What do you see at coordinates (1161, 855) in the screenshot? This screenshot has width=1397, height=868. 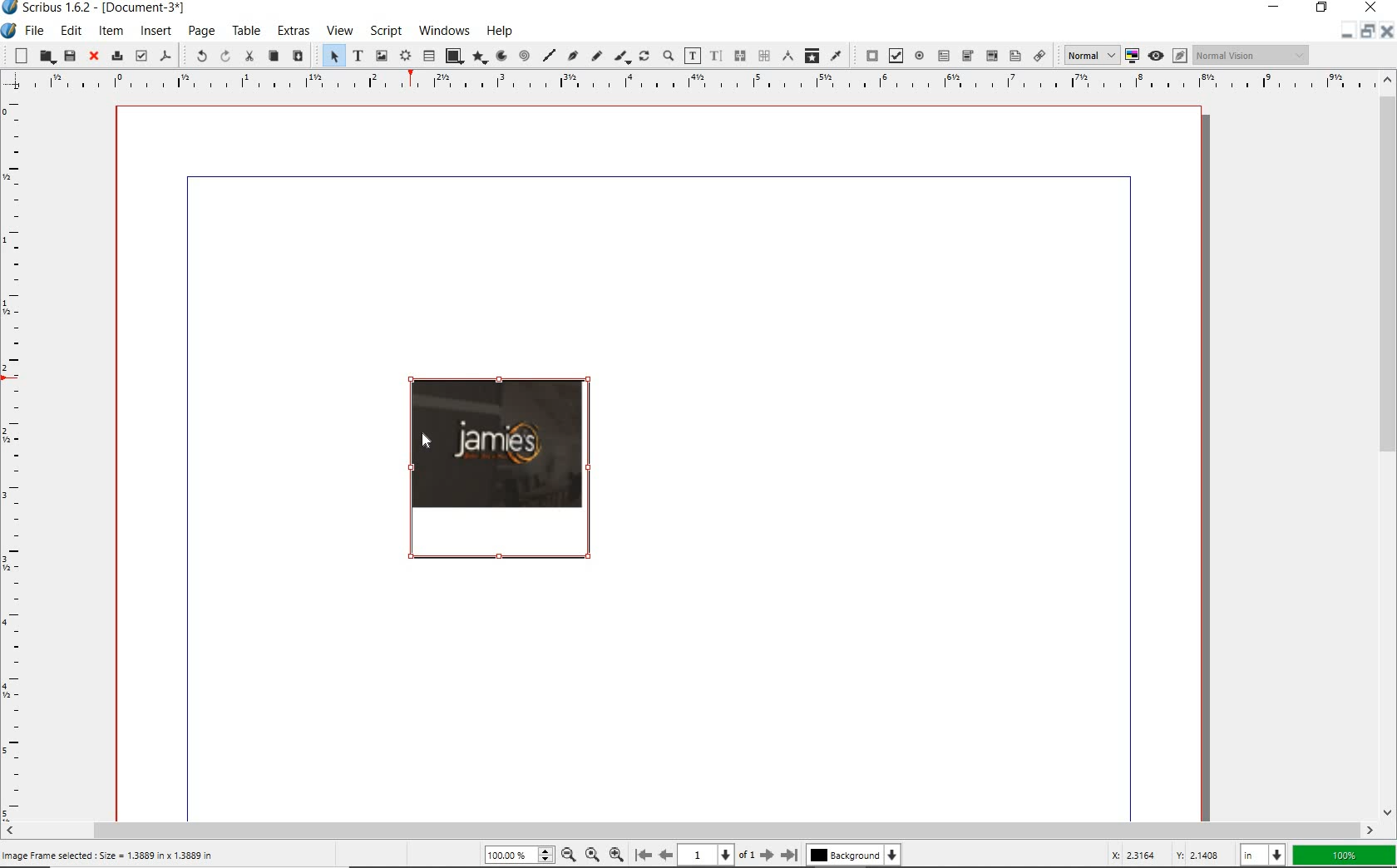 I see `coordinates` at bounding box center [1161, 855].